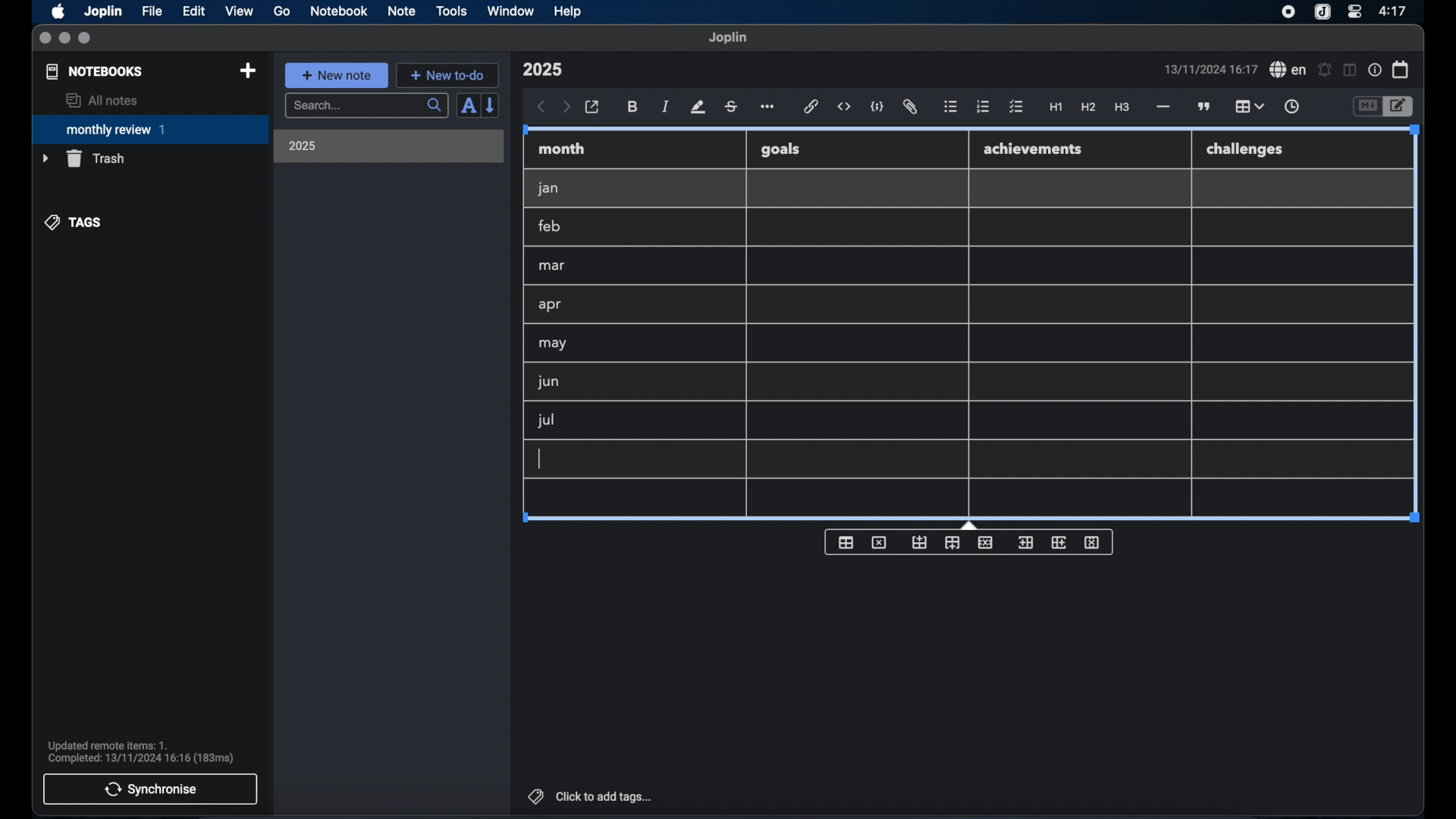  Describe the element at coordinates (910, 107) in the screenshot. I see `attach file` at that location.